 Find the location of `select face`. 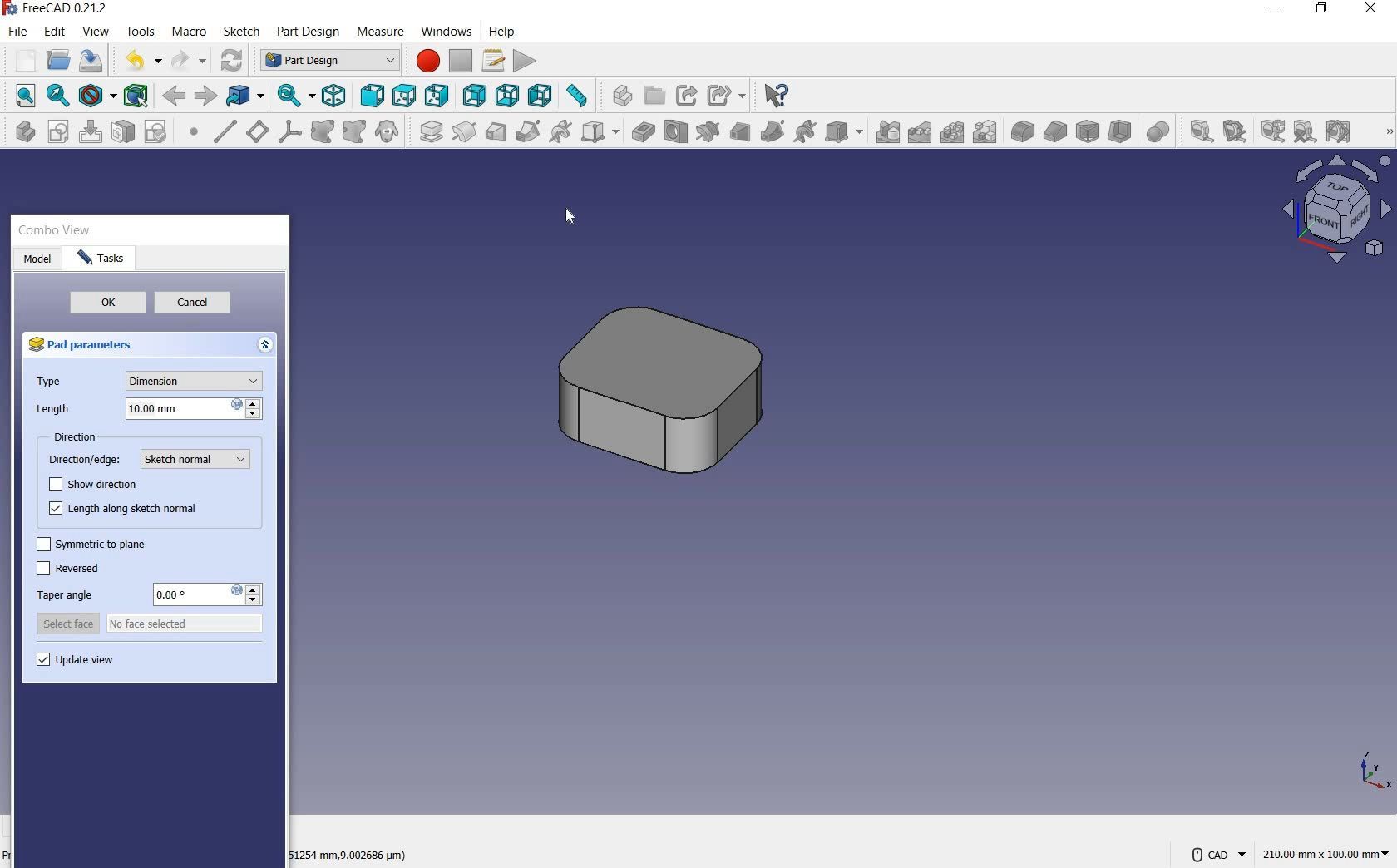

select face is located at coordinates (150, 624).